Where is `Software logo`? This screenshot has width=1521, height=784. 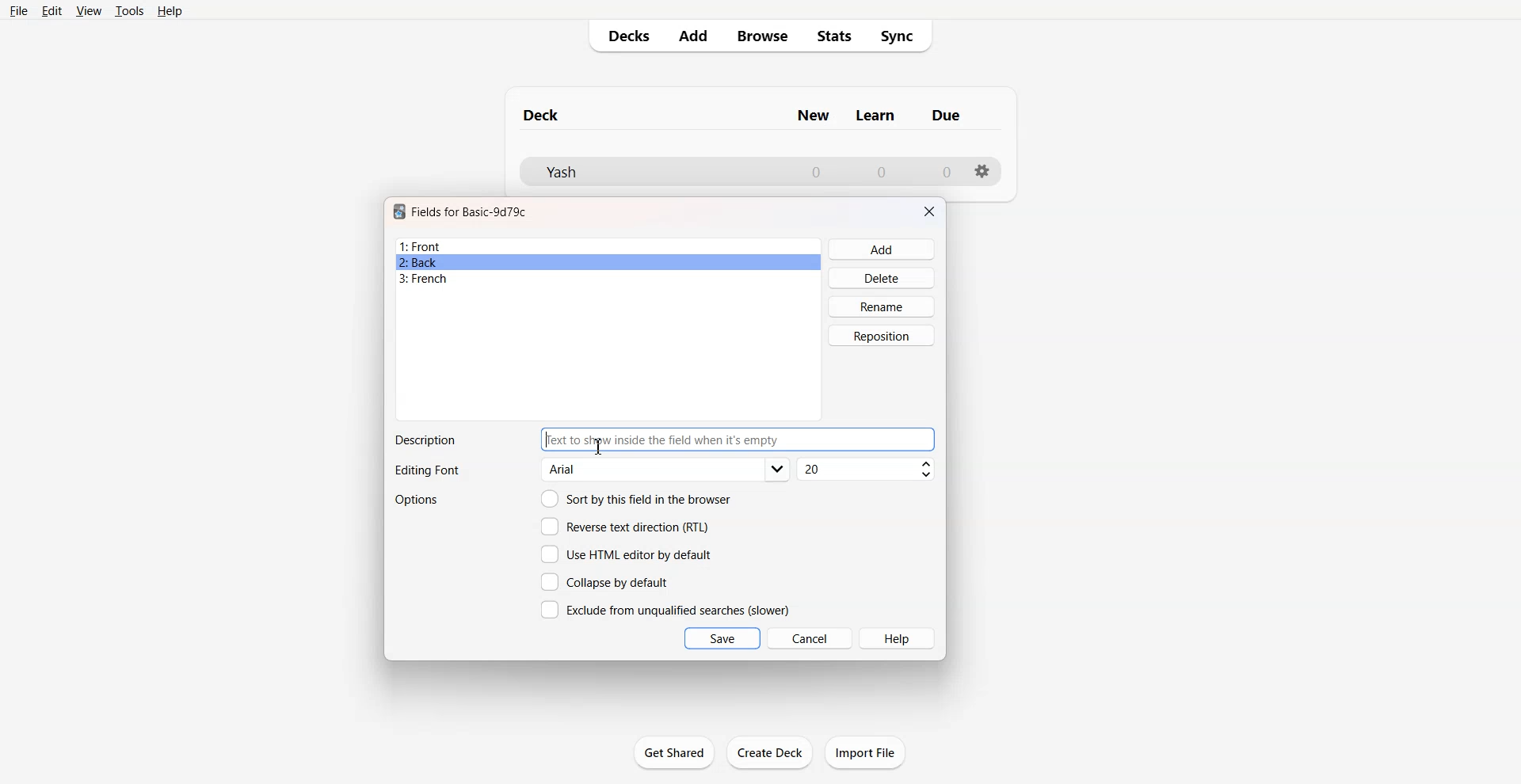
Software logo is located at coordinates (399, 211).